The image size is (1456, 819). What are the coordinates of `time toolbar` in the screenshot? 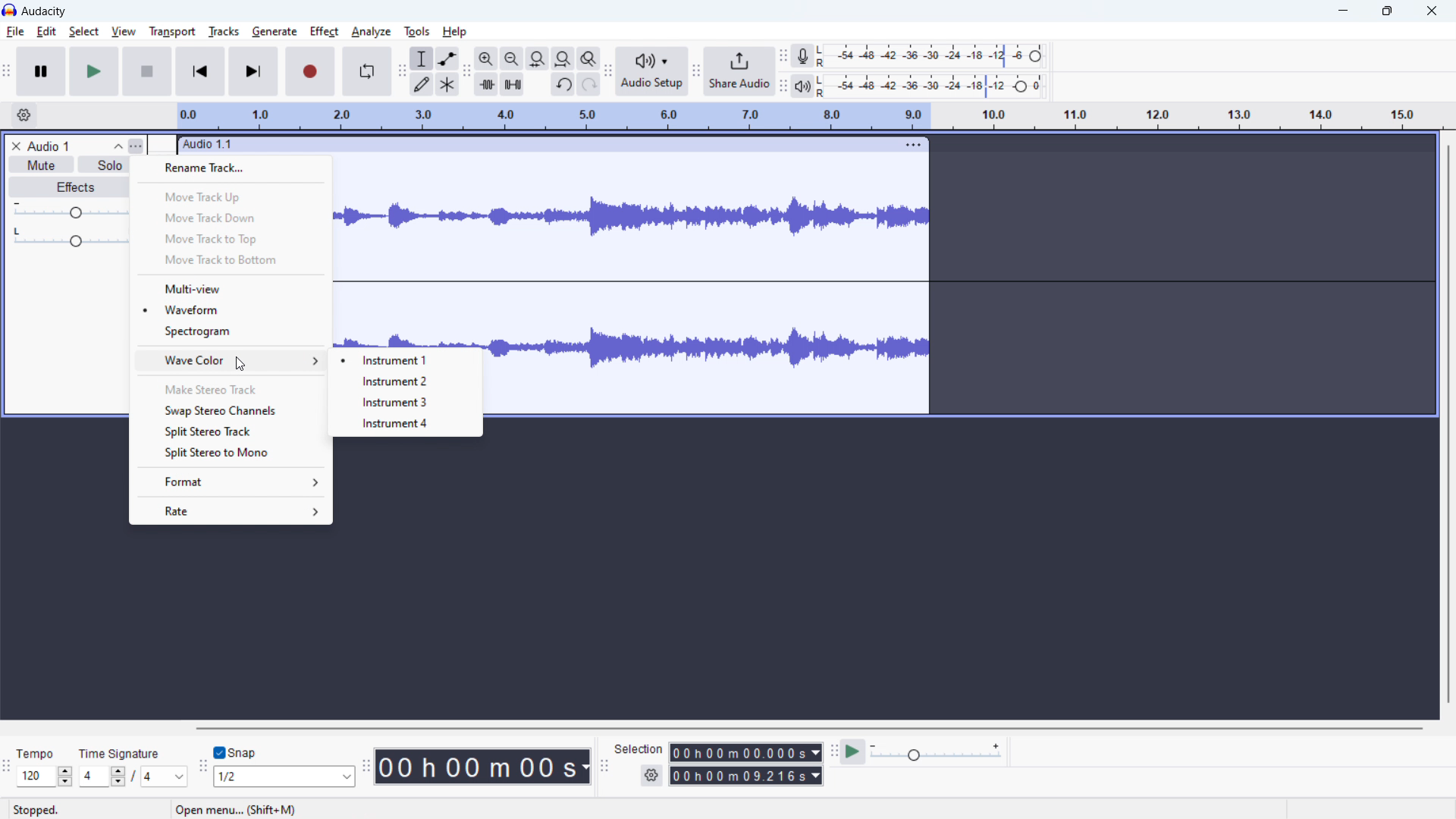 It's located at (366, 768).